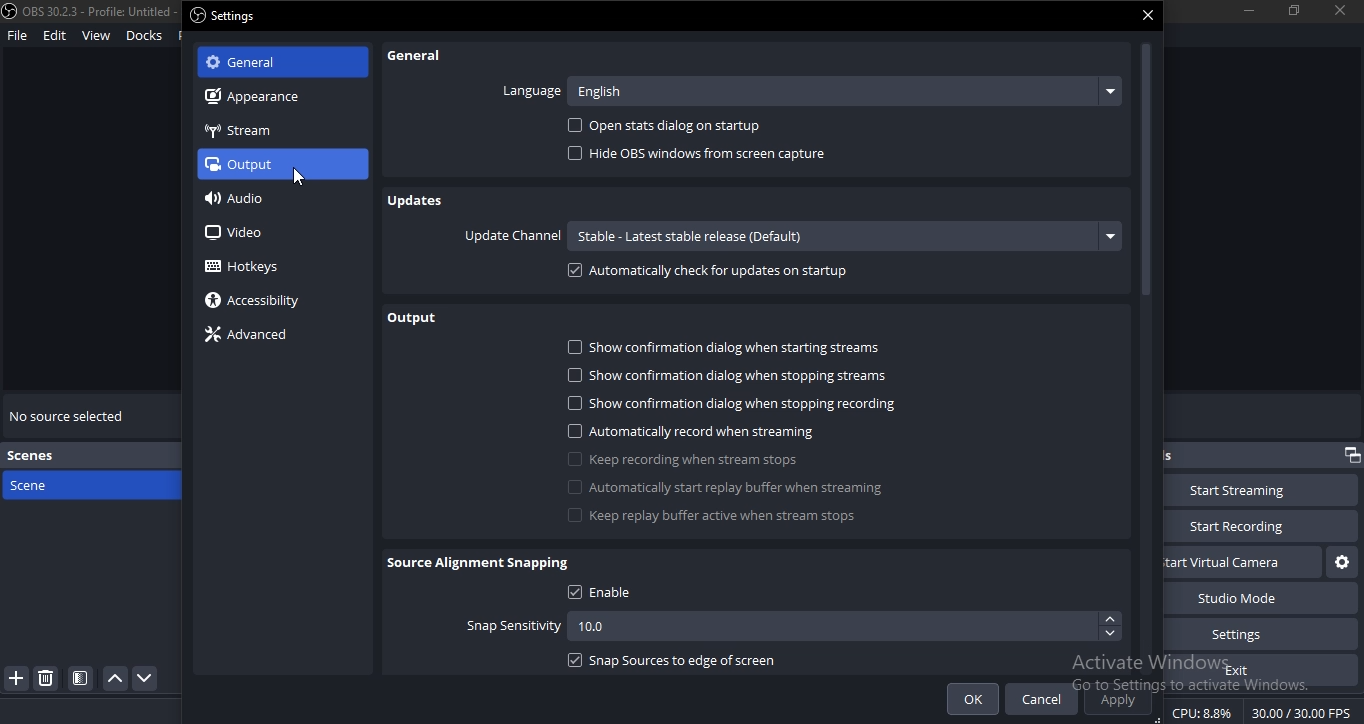 This screenshot has width=1364, height=724. Describe the element at coordinates (1252, 633) in the screenshot. I see `settings` at that location.